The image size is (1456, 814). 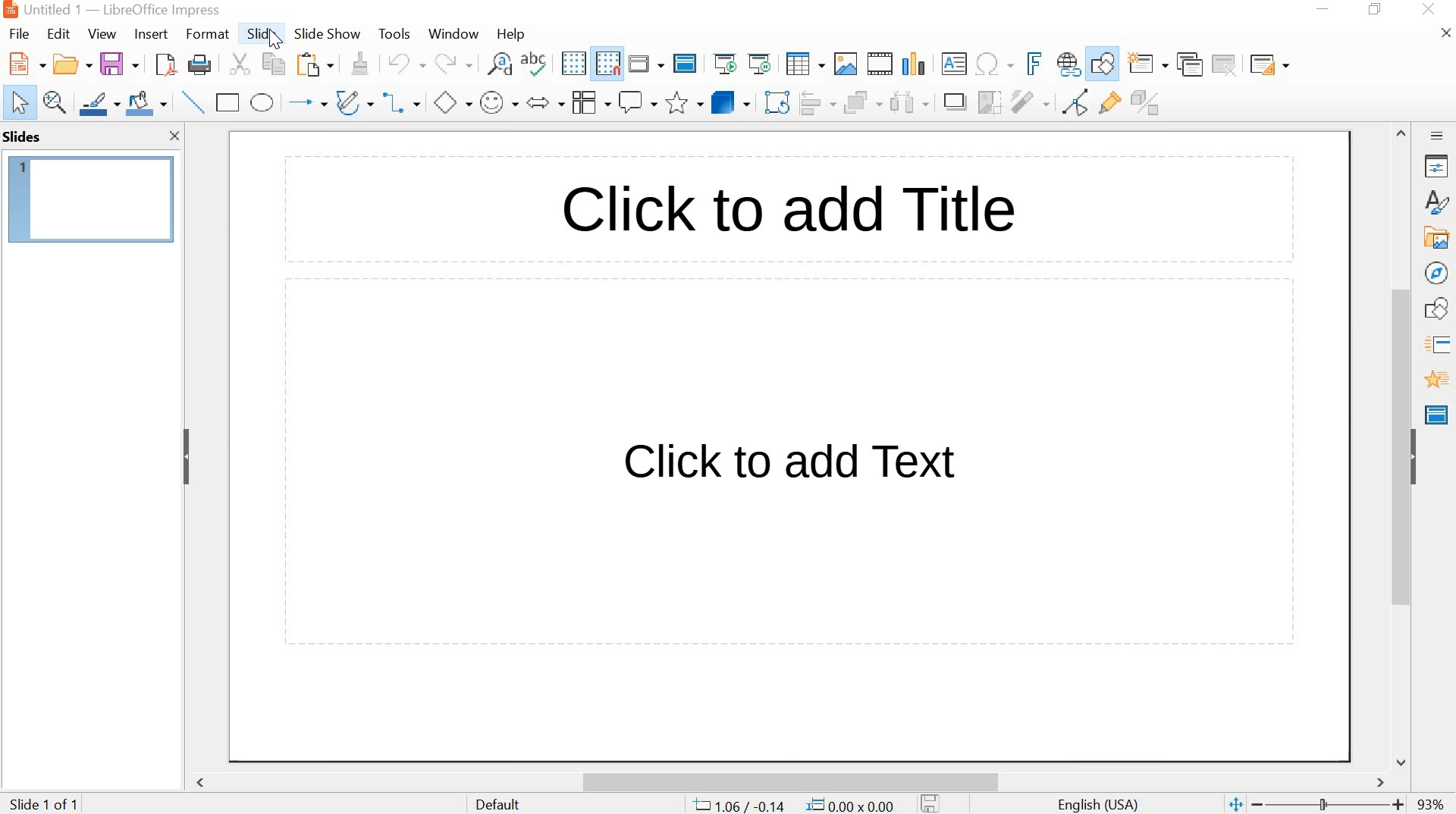 I want to click on Insert frontwork text, so click(x=1029, y=64).